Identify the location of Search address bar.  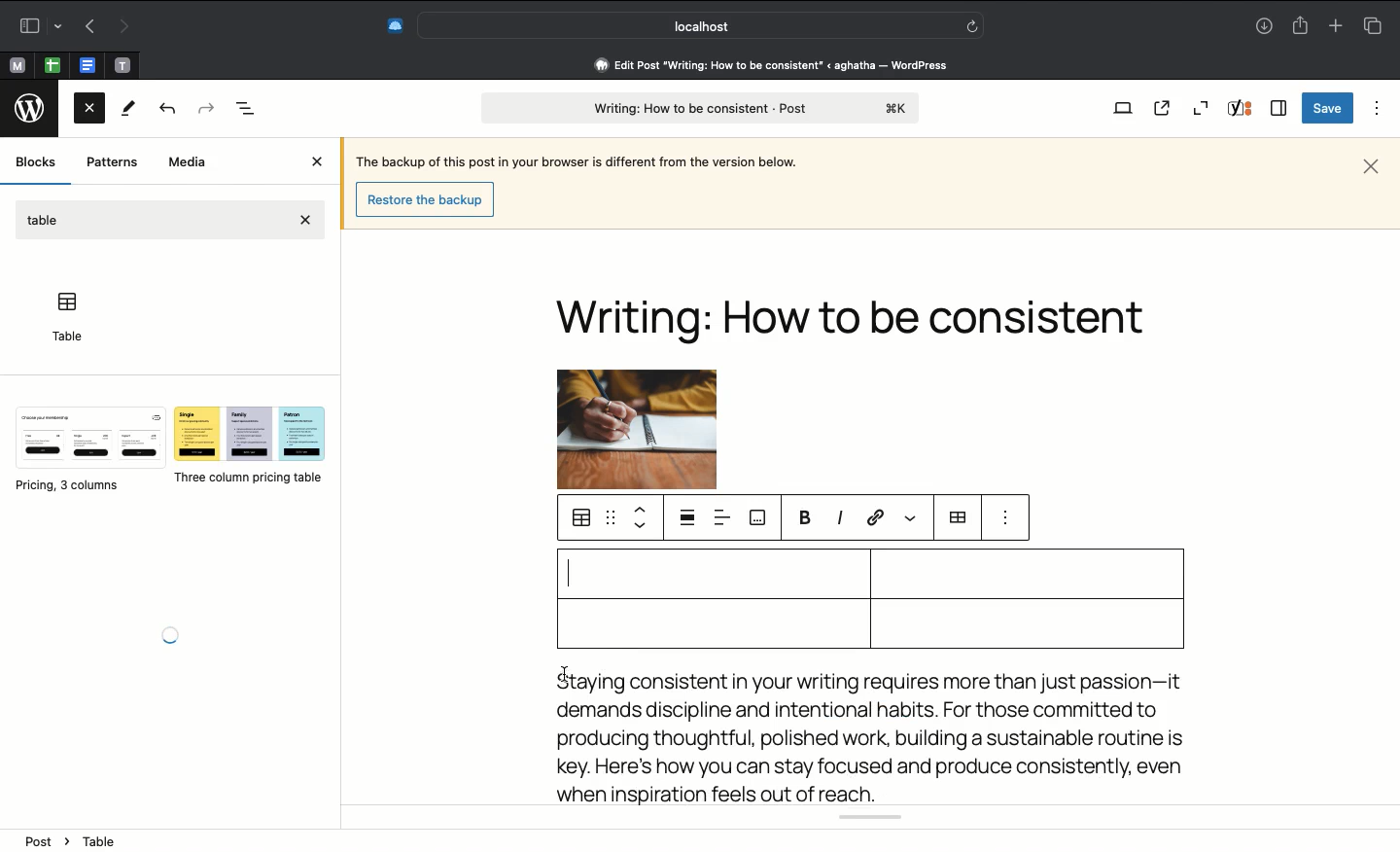
(698, 26).